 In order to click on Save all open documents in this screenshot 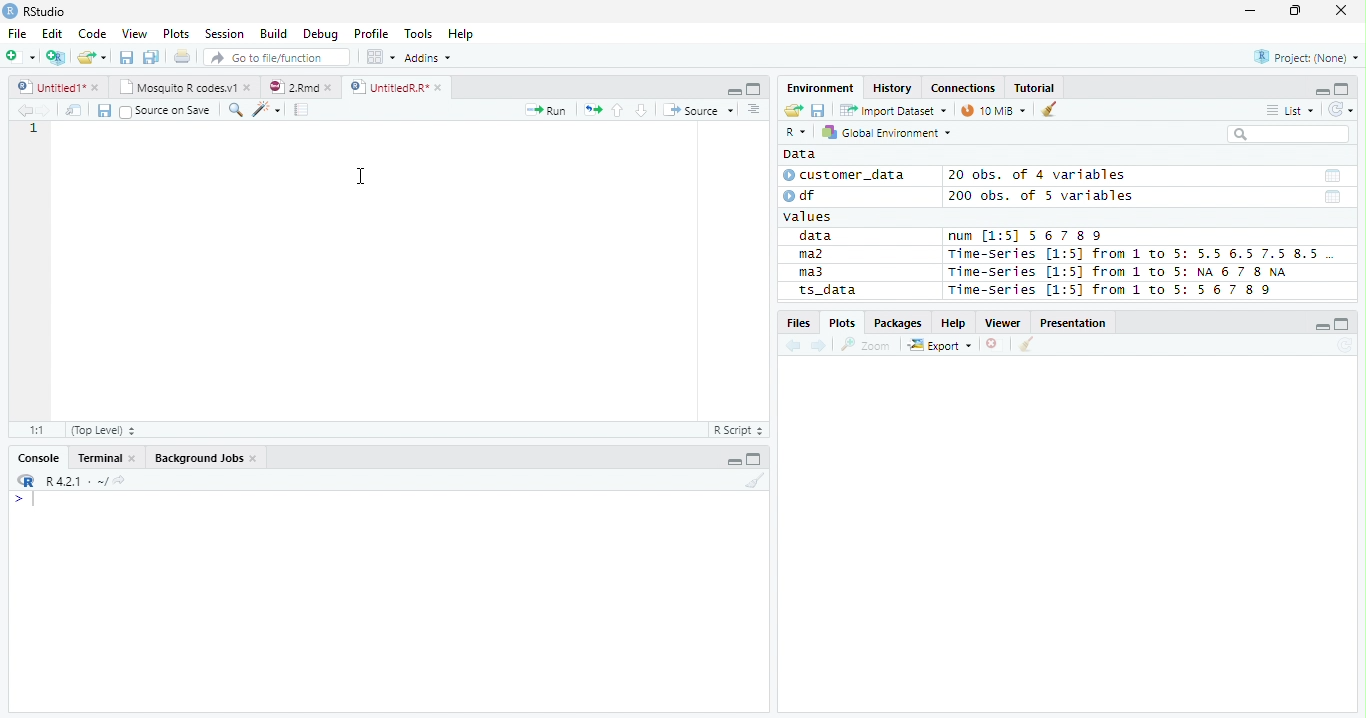, I will do `click(151, 58)`.